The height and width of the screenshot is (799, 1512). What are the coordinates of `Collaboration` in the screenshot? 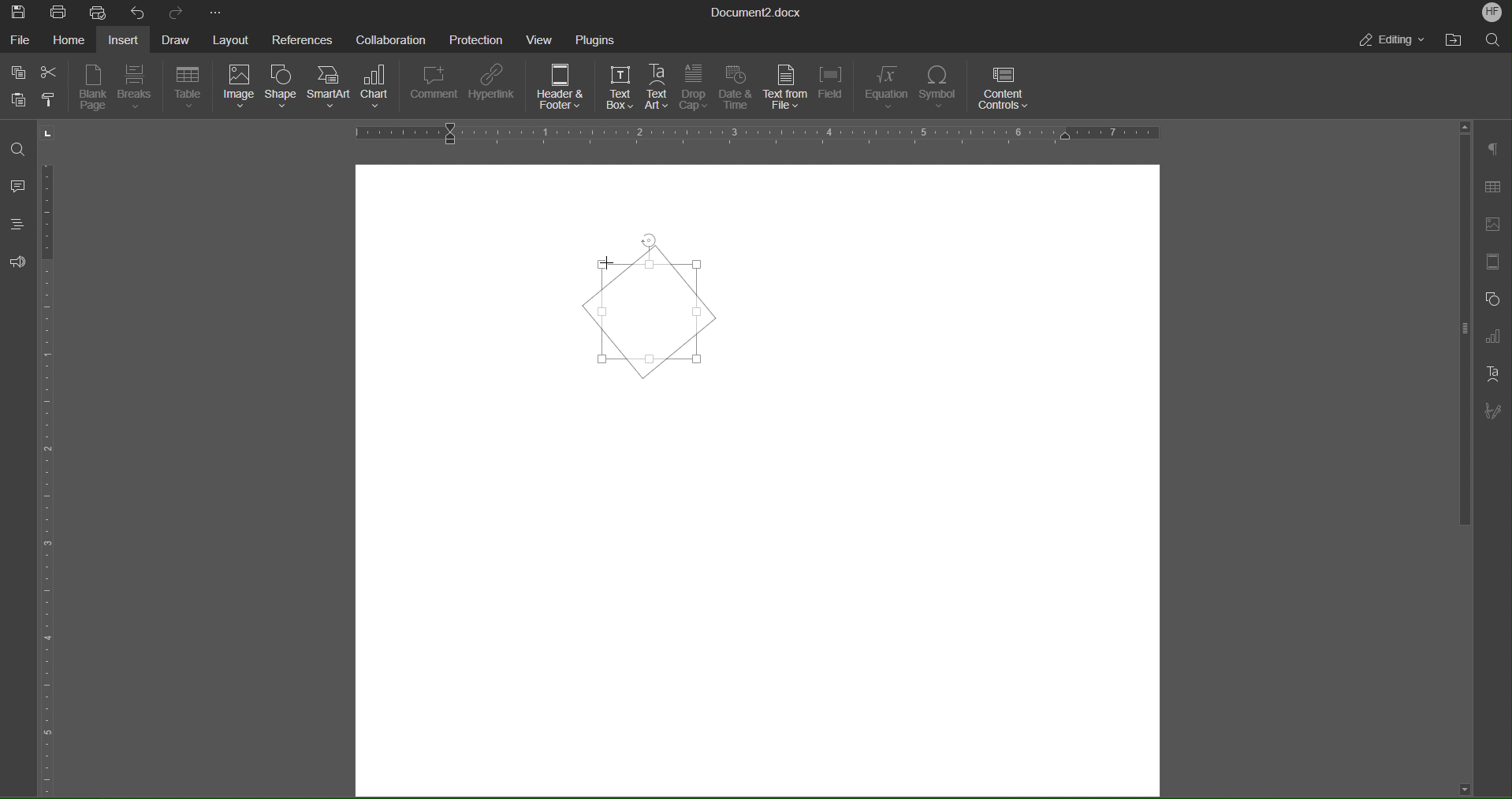 It's located at (389, 38).